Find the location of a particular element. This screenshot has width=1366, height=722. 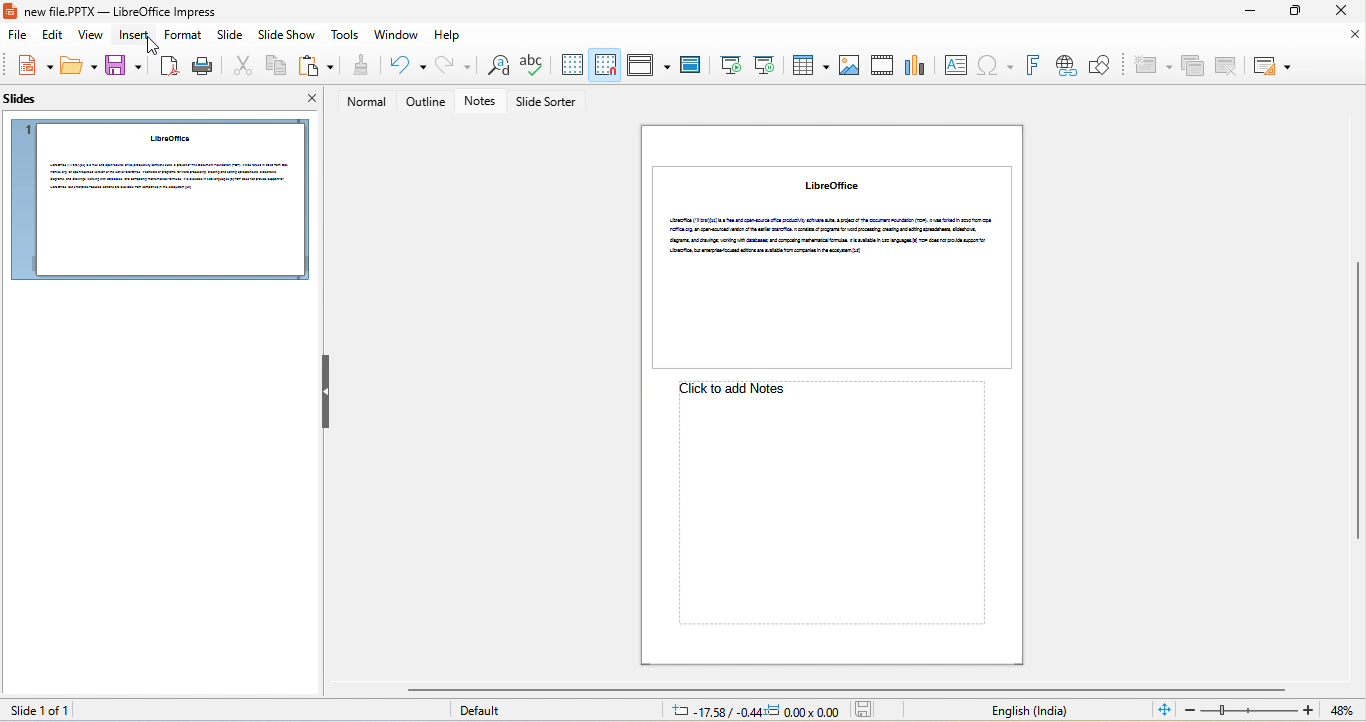

new is located at coordinates (30, 66).